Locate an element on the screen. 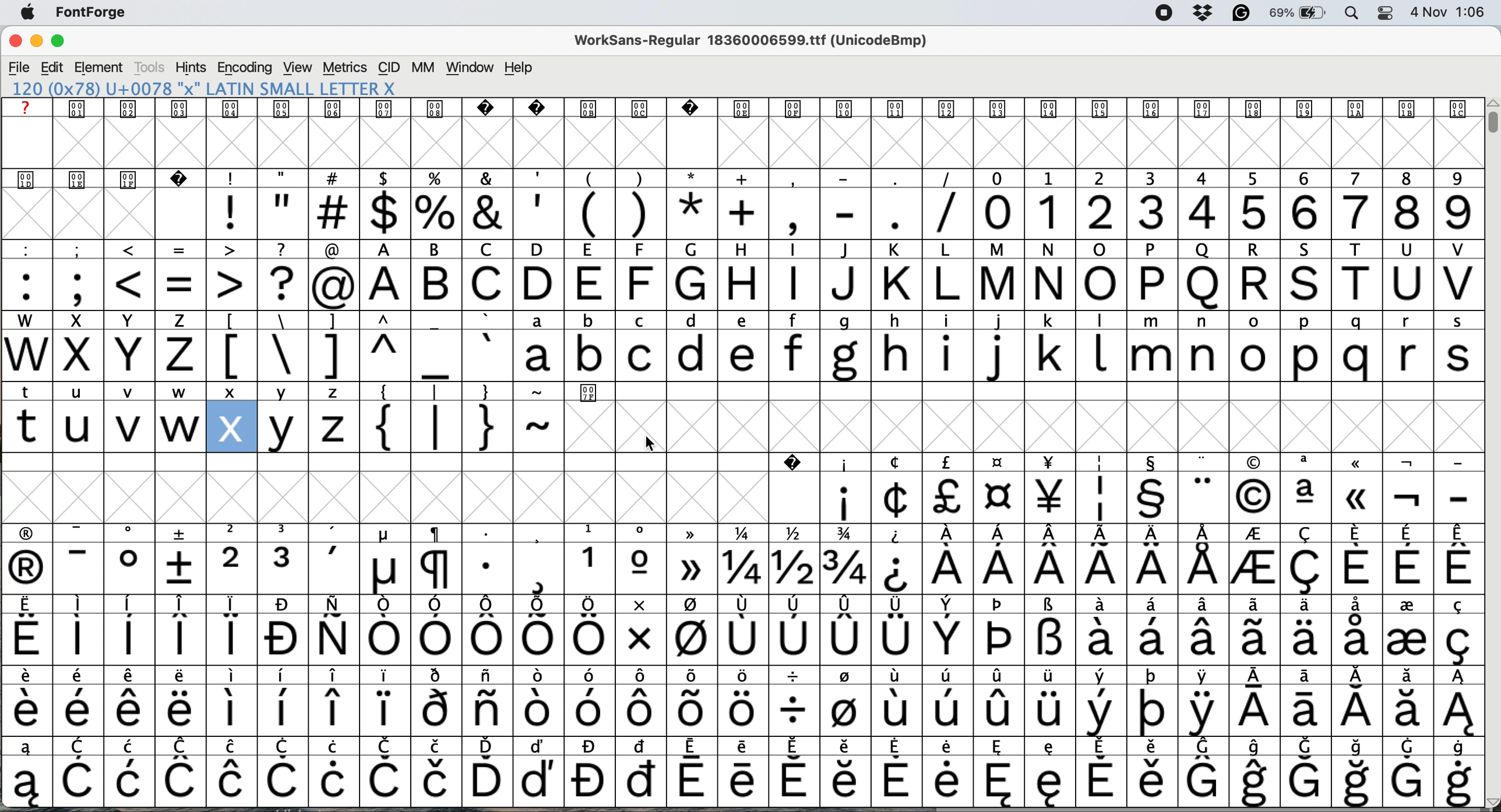 The image size is (1501, 812). 120 (0x78) U+0078 "x" LATIN SMALL LETTER X is located at coordinates (220, 89).